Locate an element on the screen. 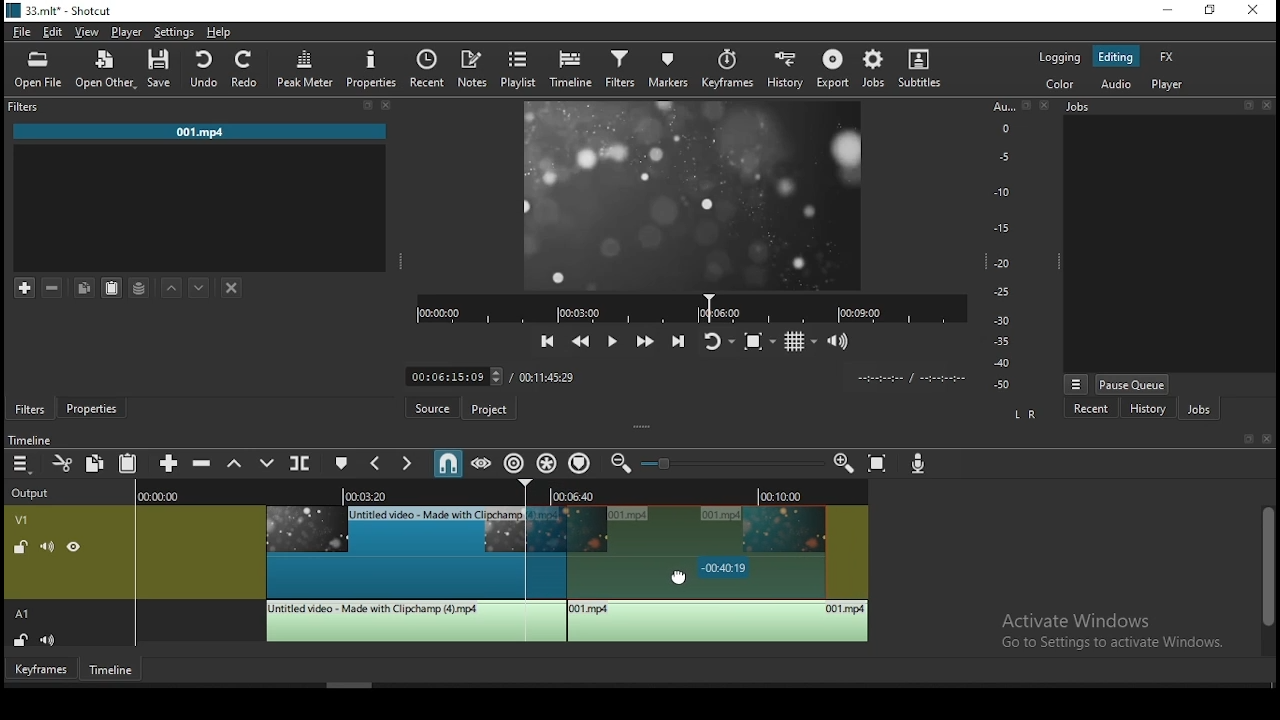 The width and height of the screenshot is (1280, 720). skip to previous point is located at coordinates (547, 338).